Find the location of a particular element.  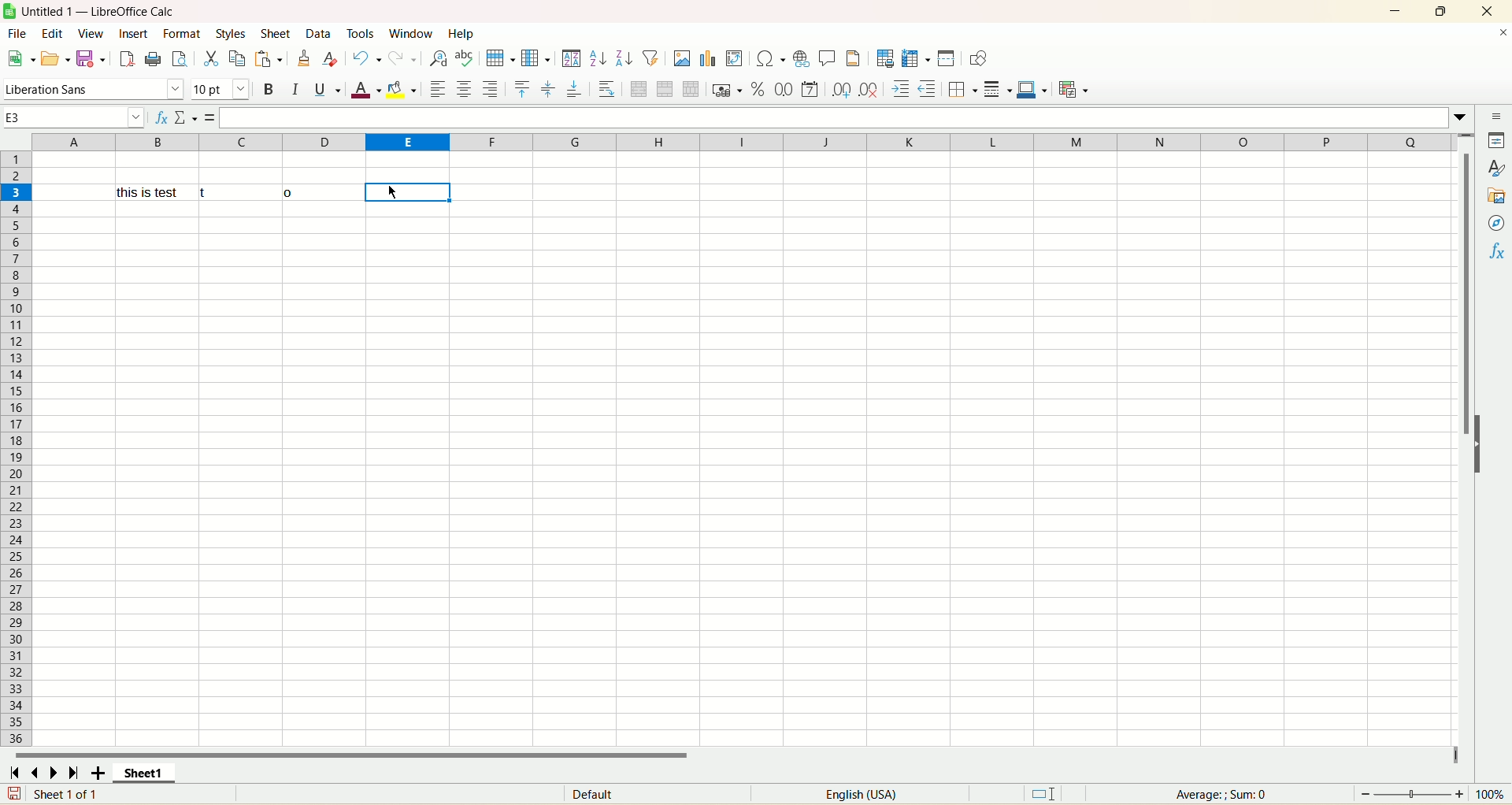

merge cells is located at coordinates (665, 91).